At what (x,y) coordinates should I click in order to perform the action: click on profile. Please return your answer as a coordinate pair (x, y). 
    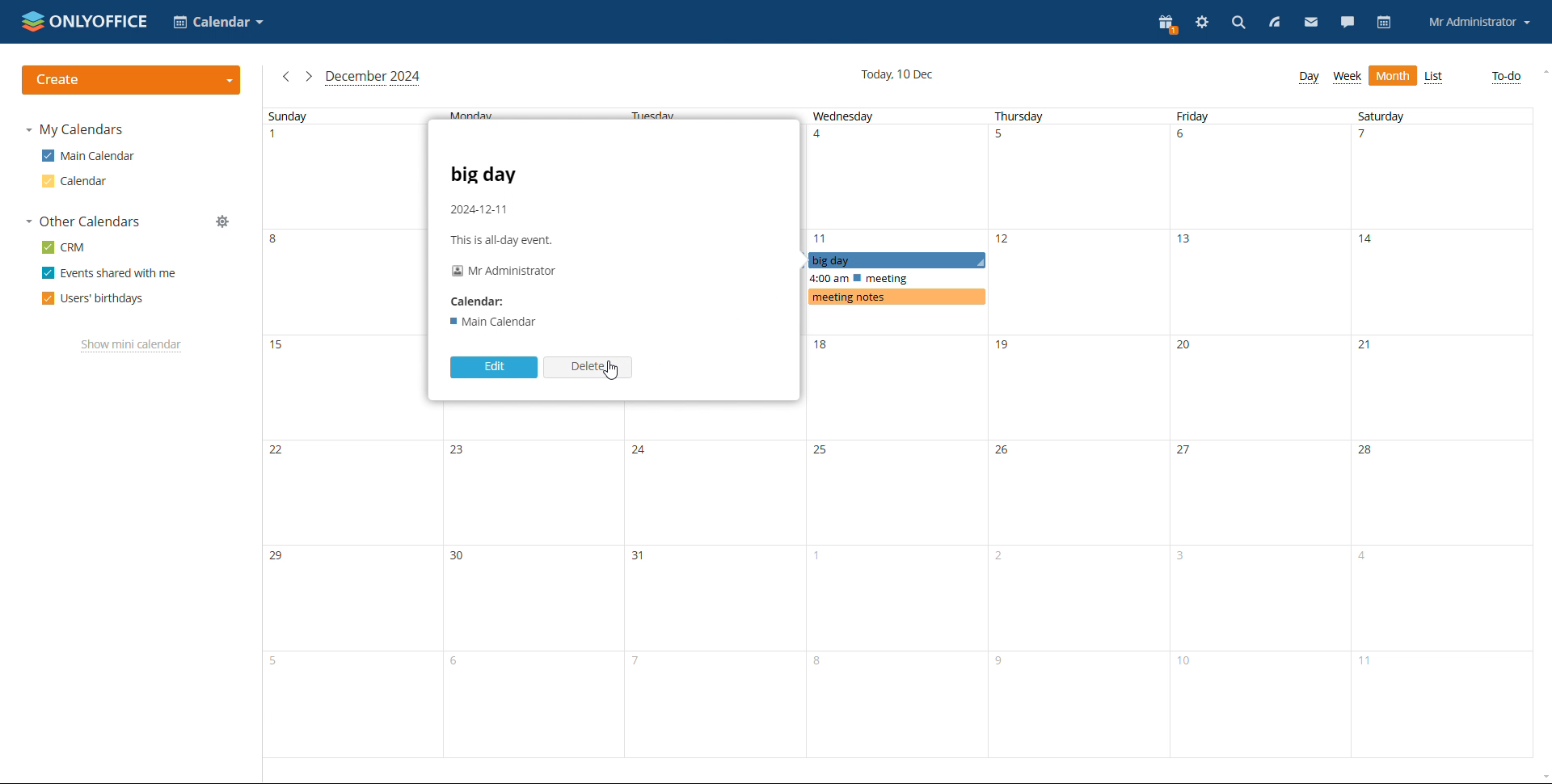
    Looking at the image, I should click on (1480, 23).